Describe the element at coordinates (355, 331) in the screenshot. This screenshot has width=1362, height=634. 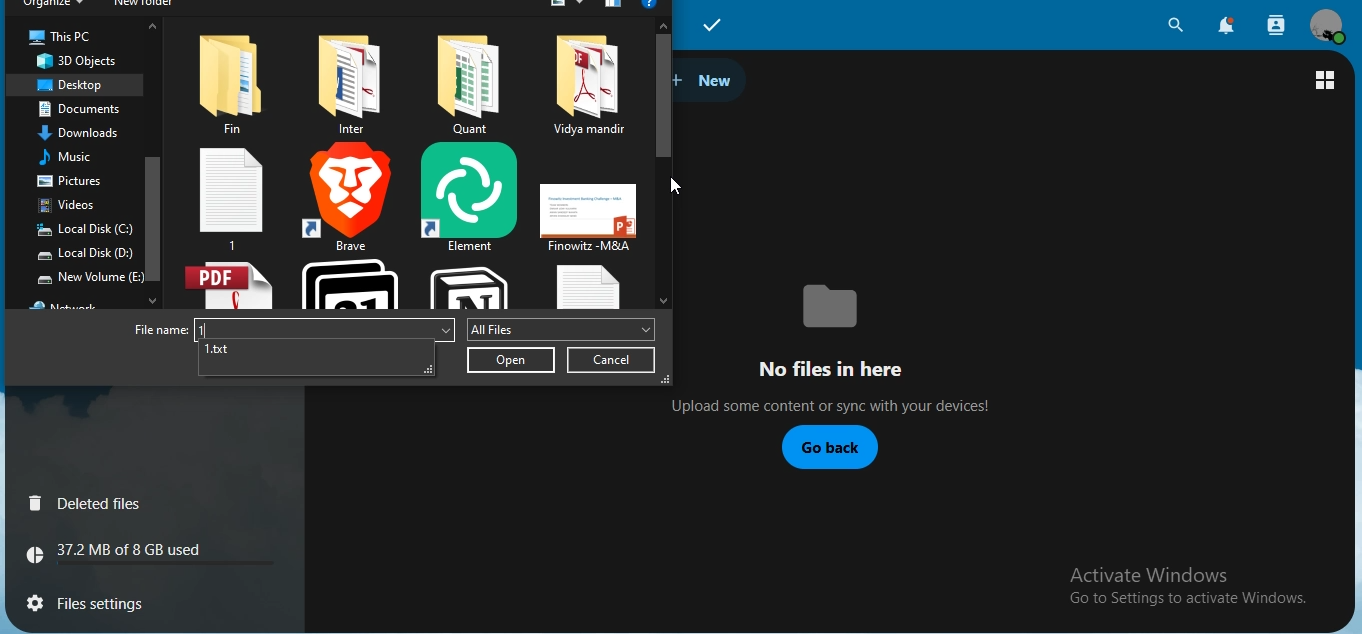
I see `file name` at that location.